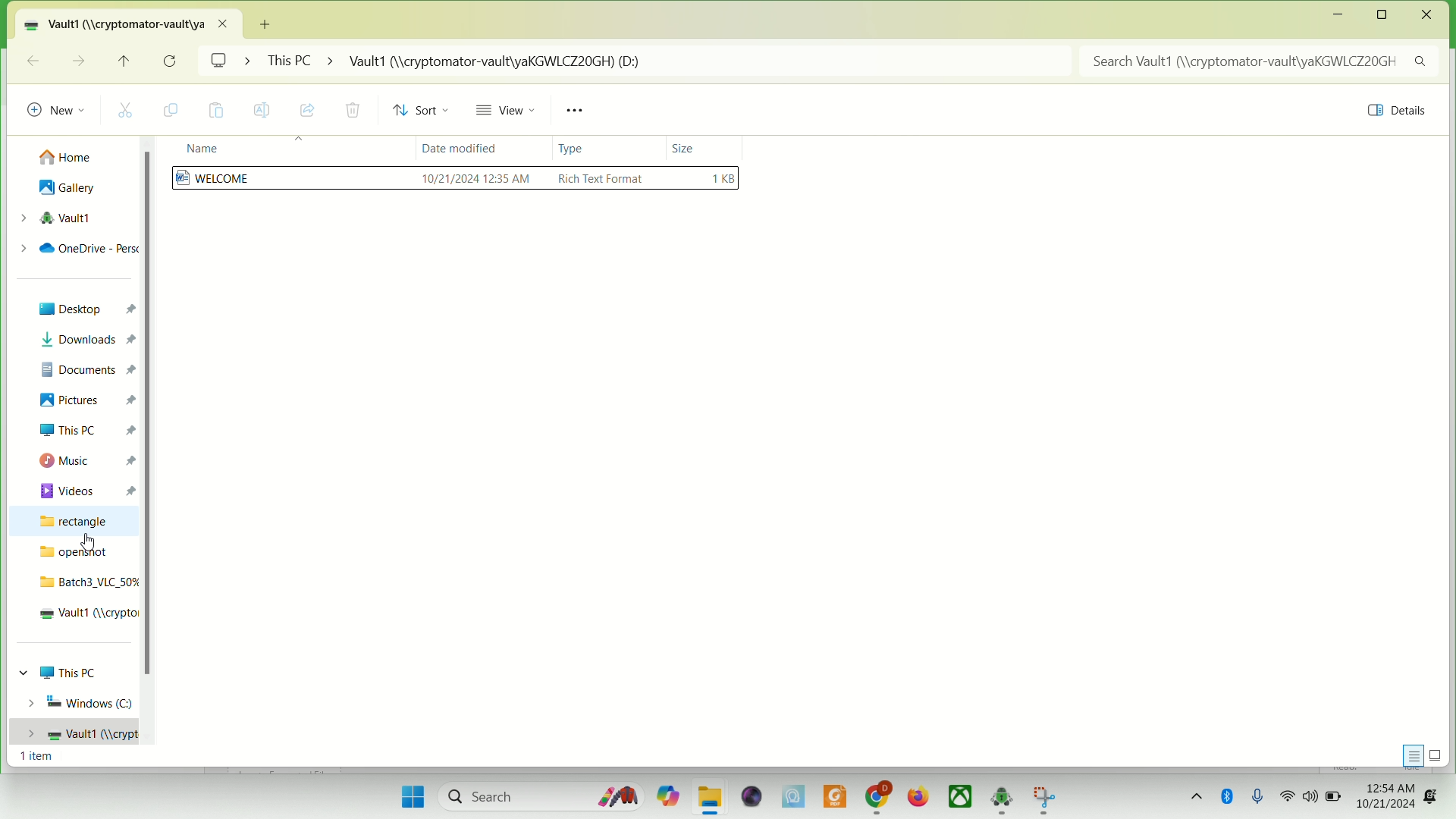 The image size is (1456, 819). Describe the element at coordinates (574, 151) in the screenshot. I see `type` at that location.